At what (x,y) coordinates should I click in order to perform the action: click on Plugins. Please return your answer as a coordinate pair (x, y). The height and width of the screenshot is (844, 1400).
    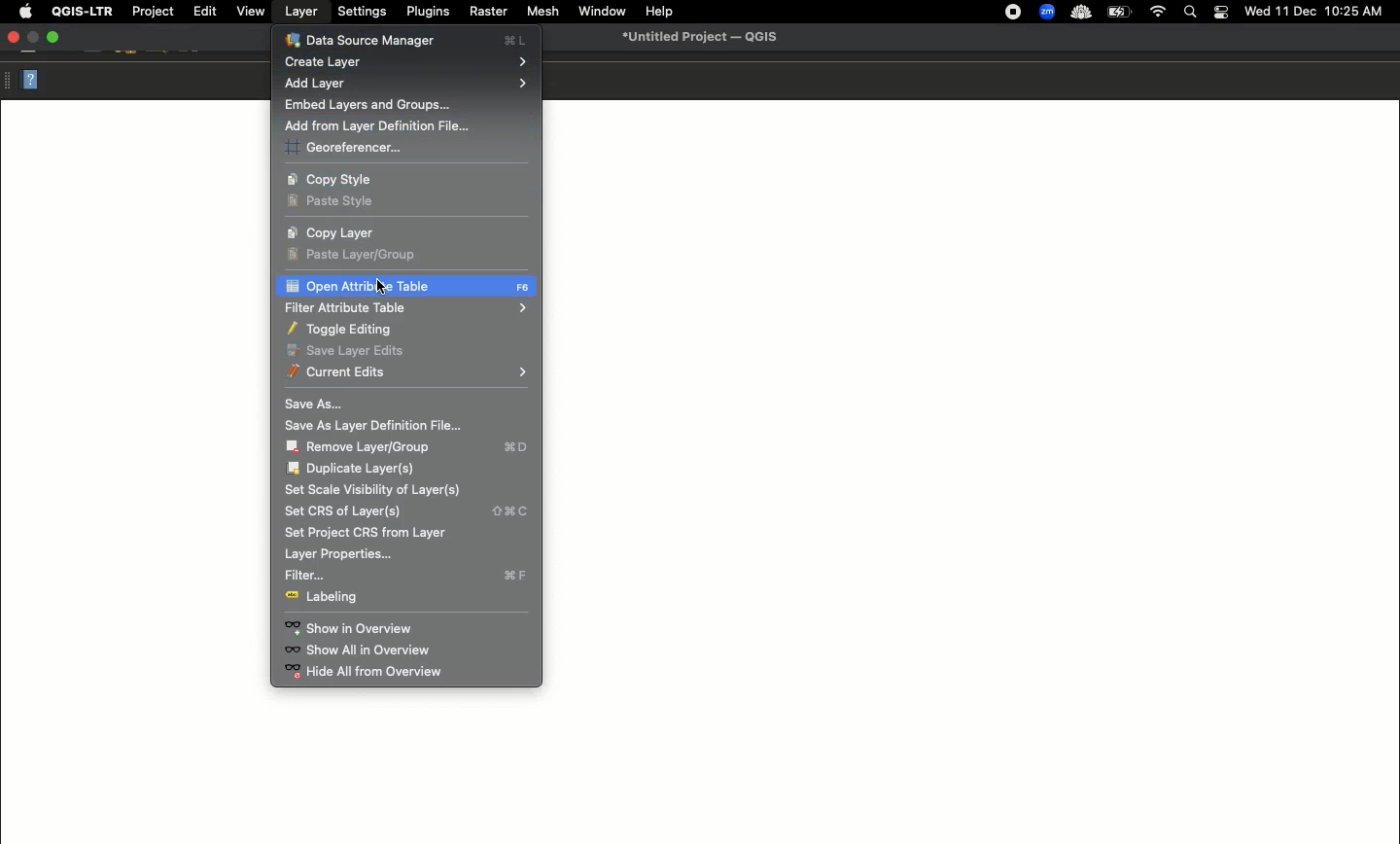
    Looking at the image, I should click on (426, 11).